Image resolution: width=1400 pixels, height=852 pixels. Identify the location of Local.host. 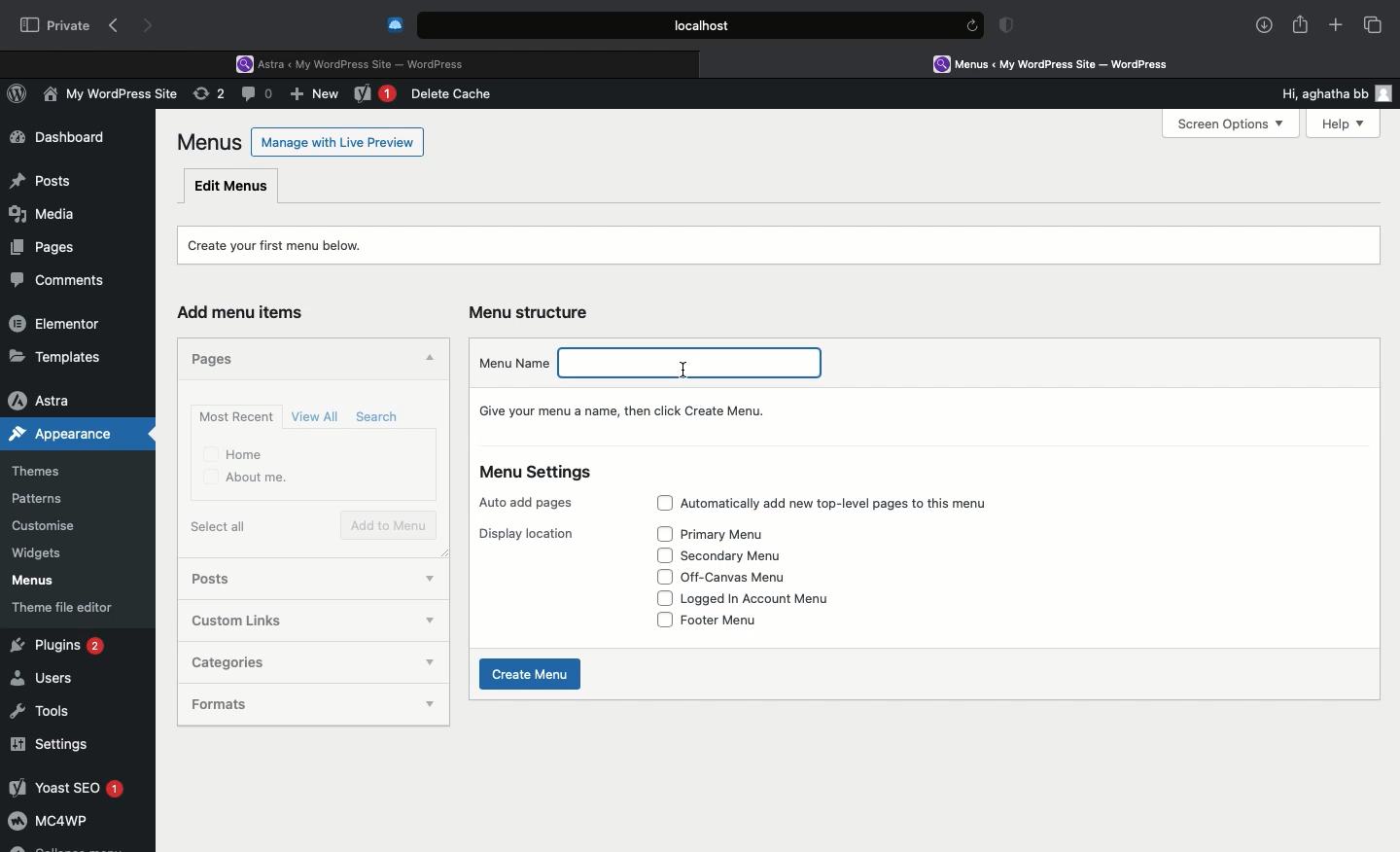
(702, 24).